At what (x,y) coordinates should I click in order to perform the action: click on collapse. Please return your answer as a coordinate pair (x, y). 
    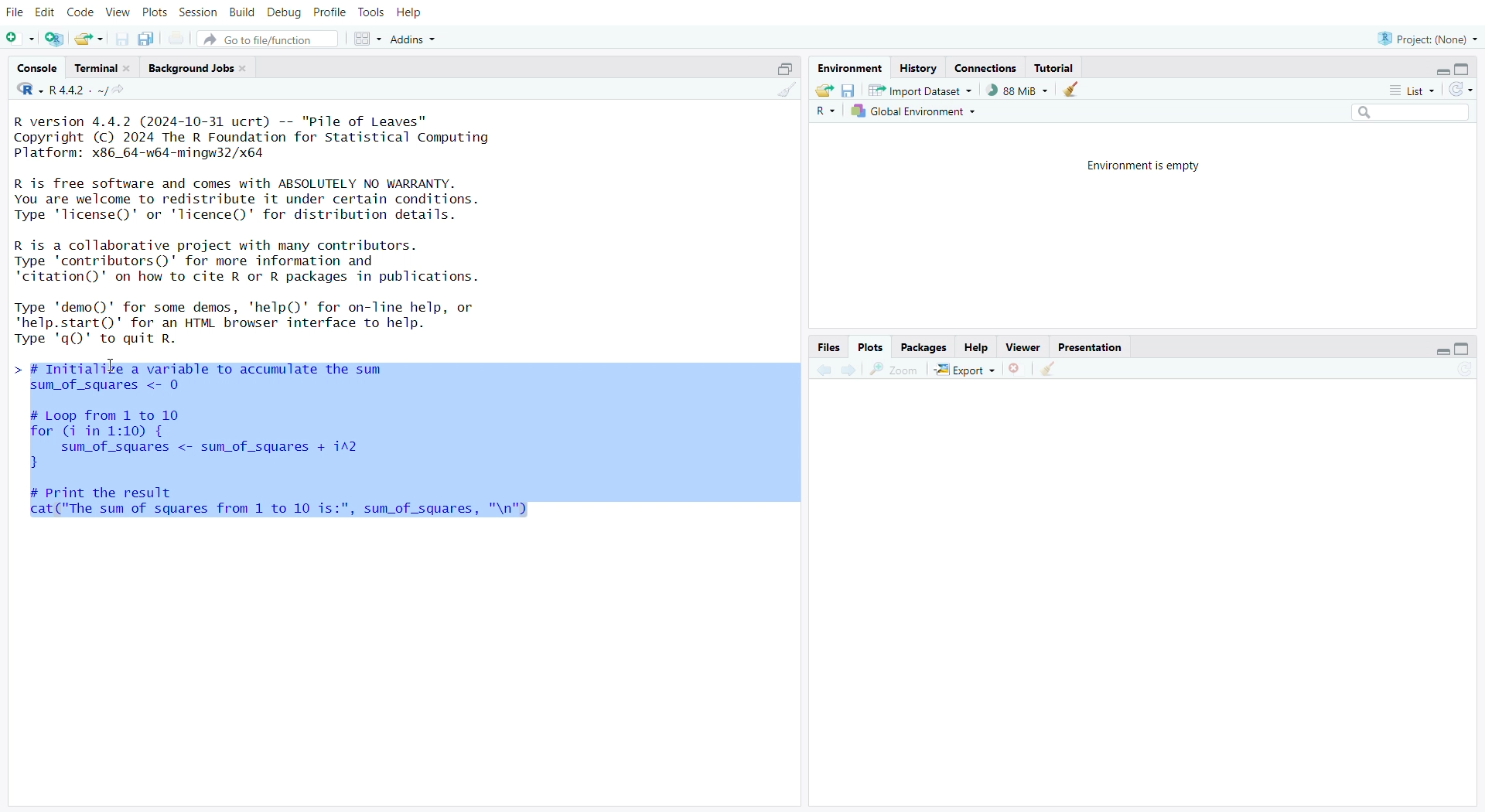
    Looking at the image, I should click on (1465, 70).